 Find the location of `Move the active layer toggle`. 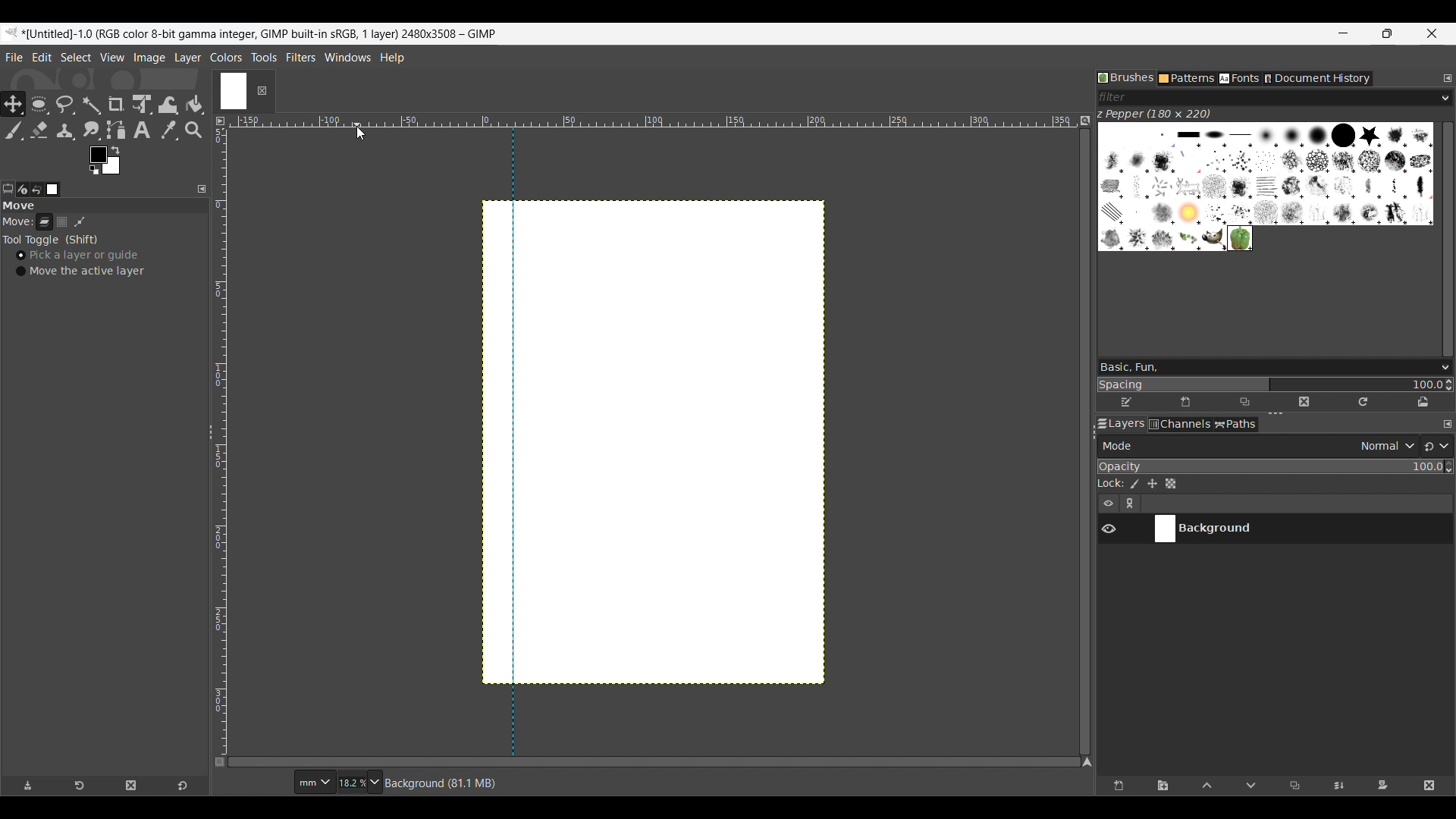

Move the active layer toggle is located at coordinates (80, 271).